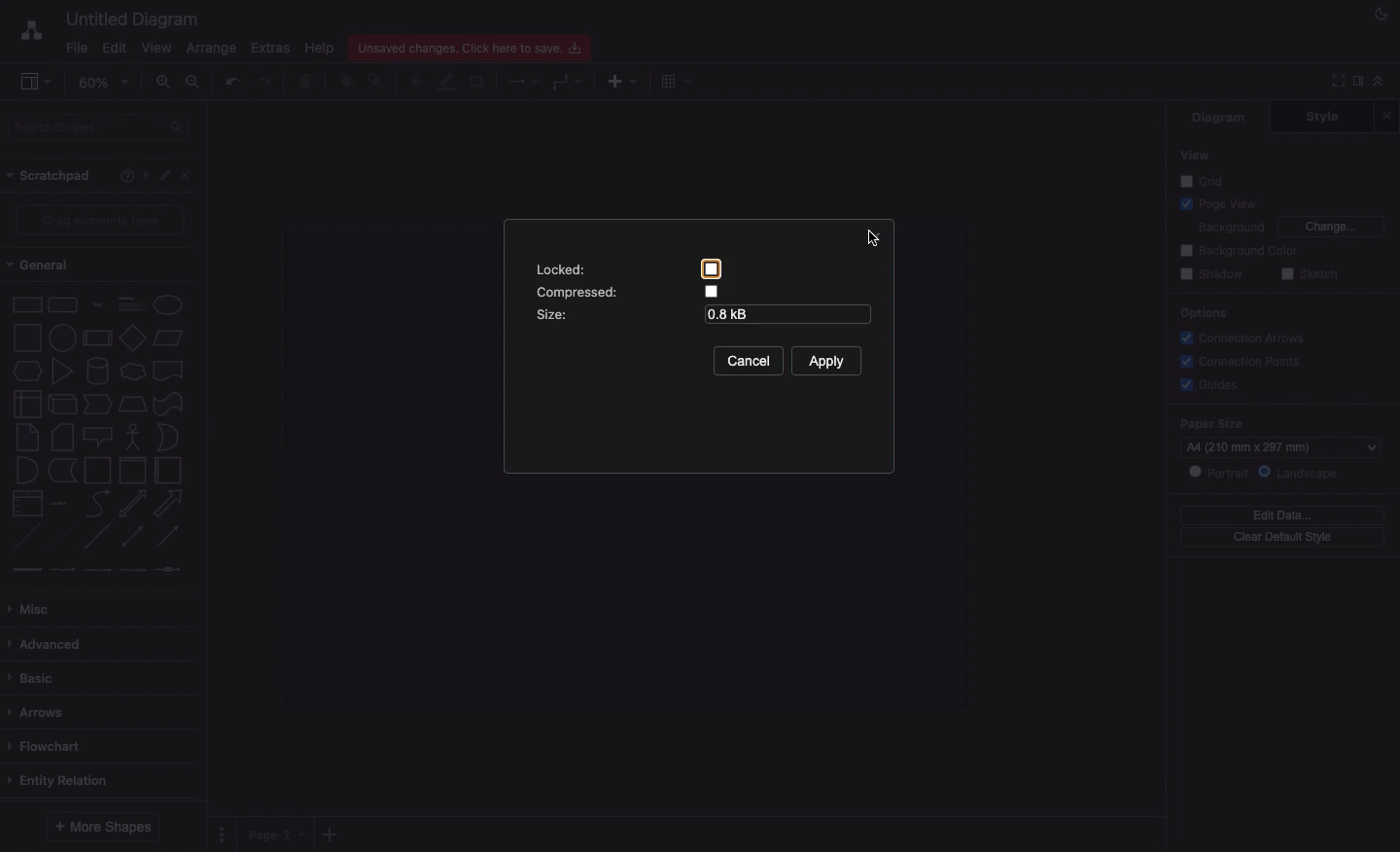  What do you see at coordinates (1281, 515) in the screenshot?
I see `Edit data` at bounding box center [1281, 515].